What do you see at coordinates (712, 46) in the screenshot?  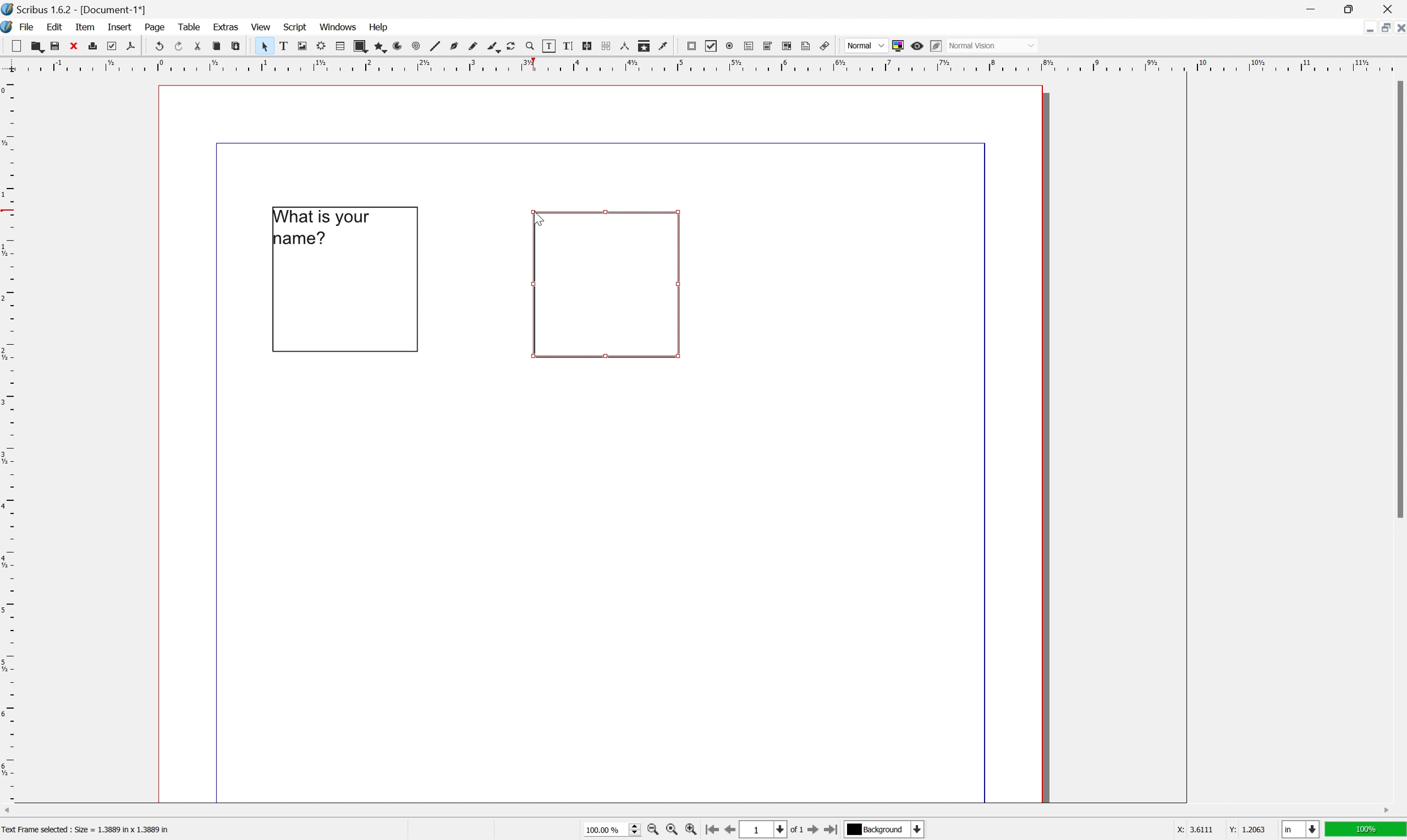 I see `pdf checkbox` at bounding box center [712, 46].